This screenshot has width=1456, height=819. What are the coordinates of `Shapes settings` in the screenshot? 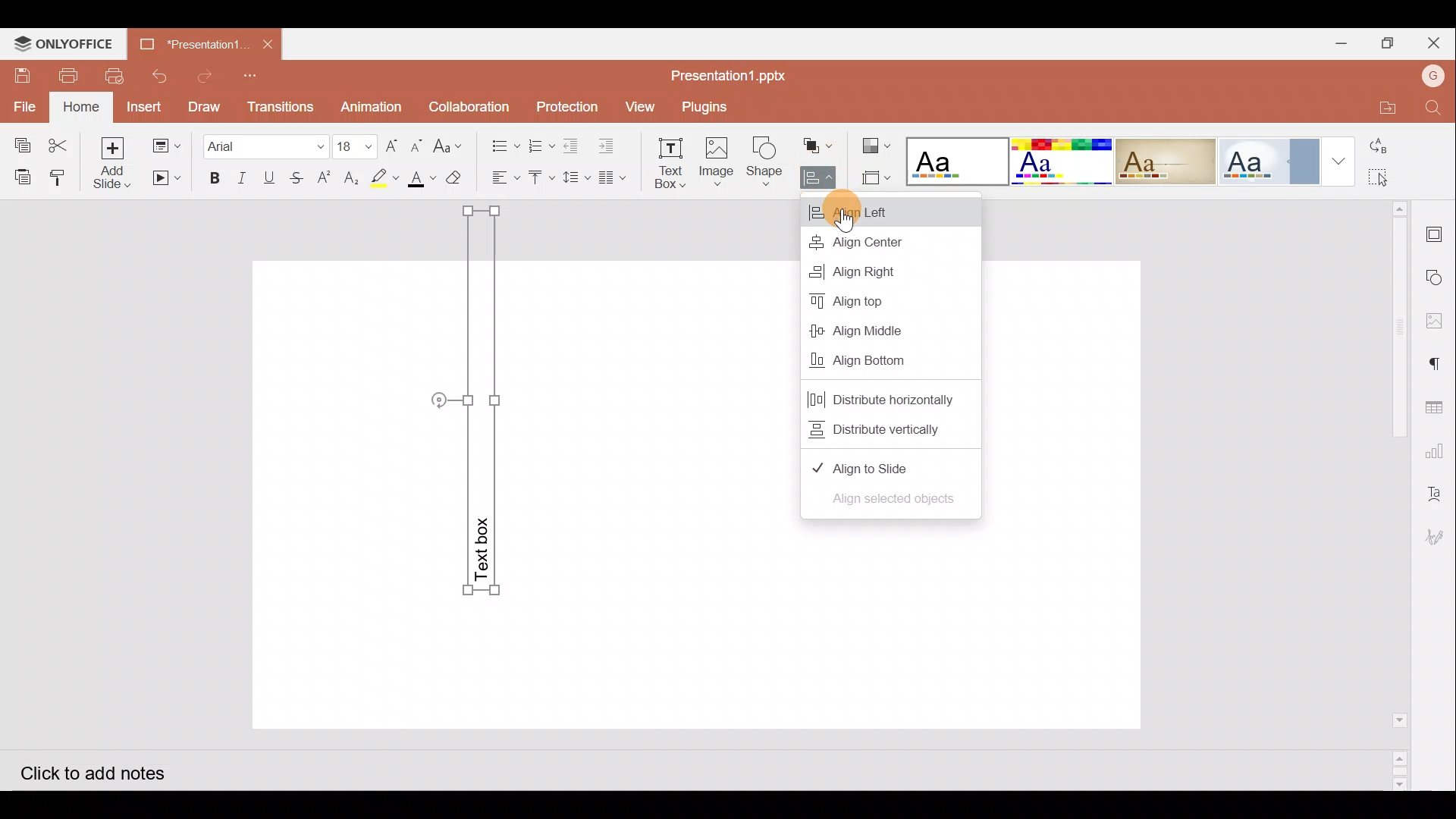 It's located at (1438, 279).